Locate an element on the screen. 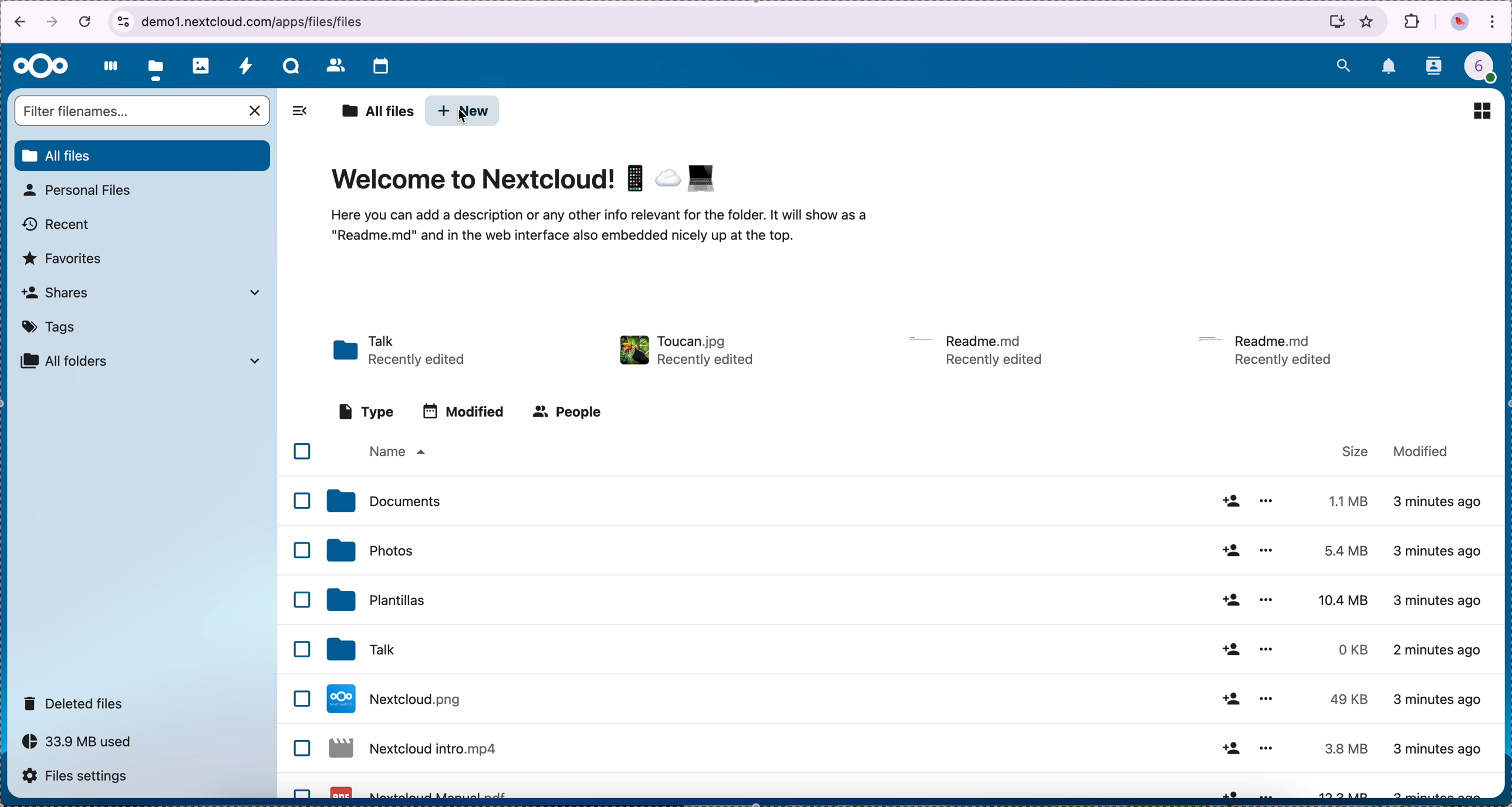 The image size is (1512, 807). capacity is located at coordinates (83, 745).